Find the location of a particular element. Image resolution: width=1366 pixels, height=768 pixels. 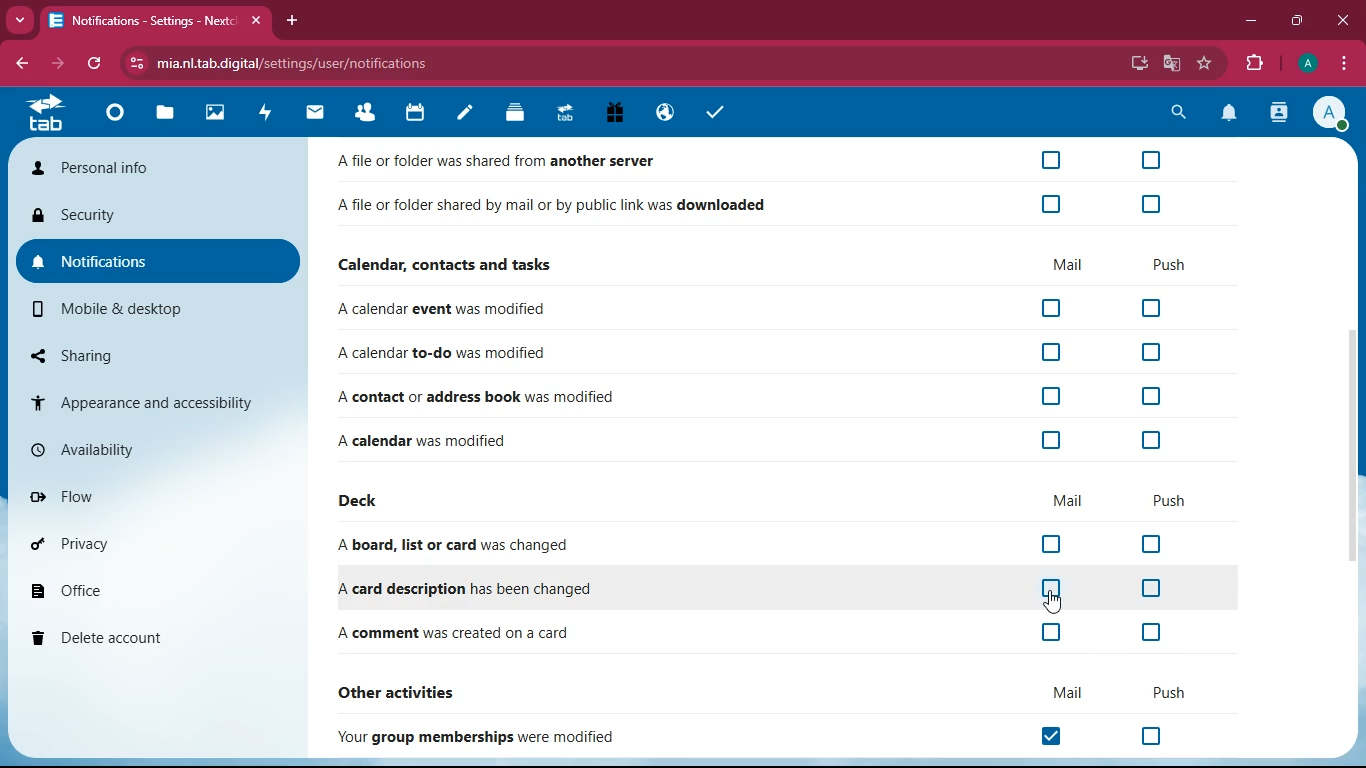

tab is located at coordinates (564, 112).